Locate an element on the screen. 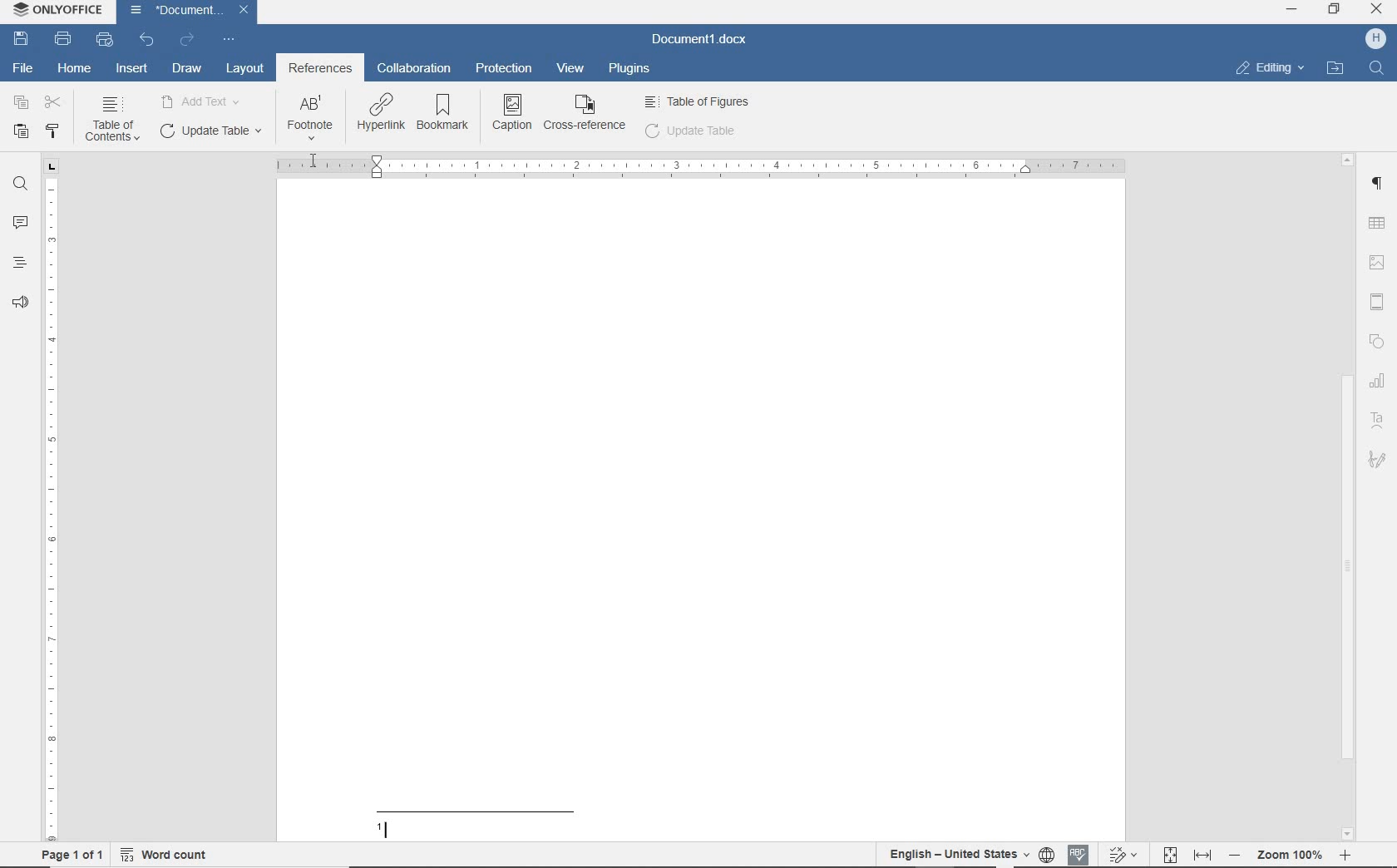  home is located at coordinates (73, 69).